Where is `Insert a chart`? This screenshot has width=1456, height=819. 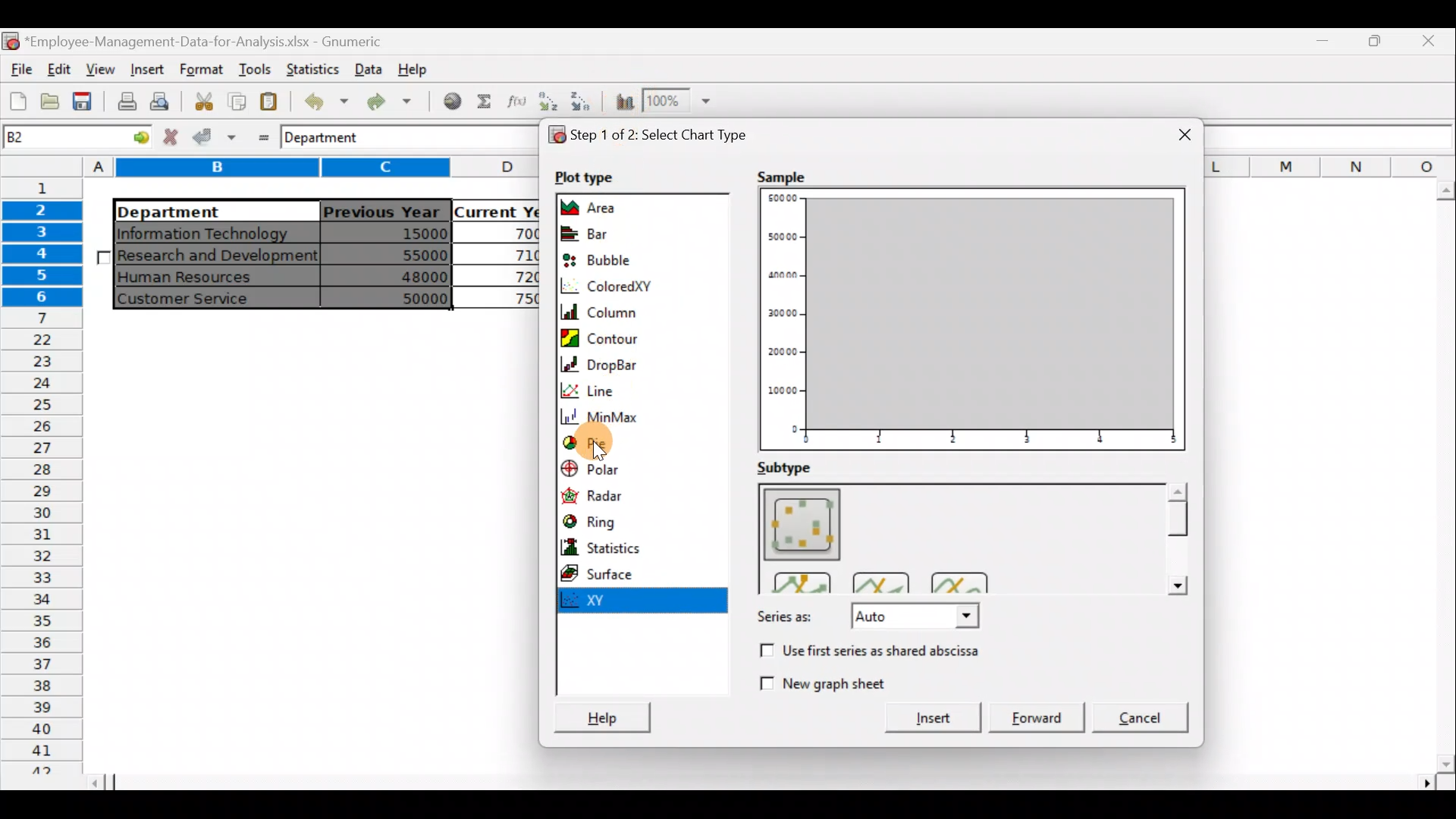
Insert a chart is located at coordinates (623, 102).